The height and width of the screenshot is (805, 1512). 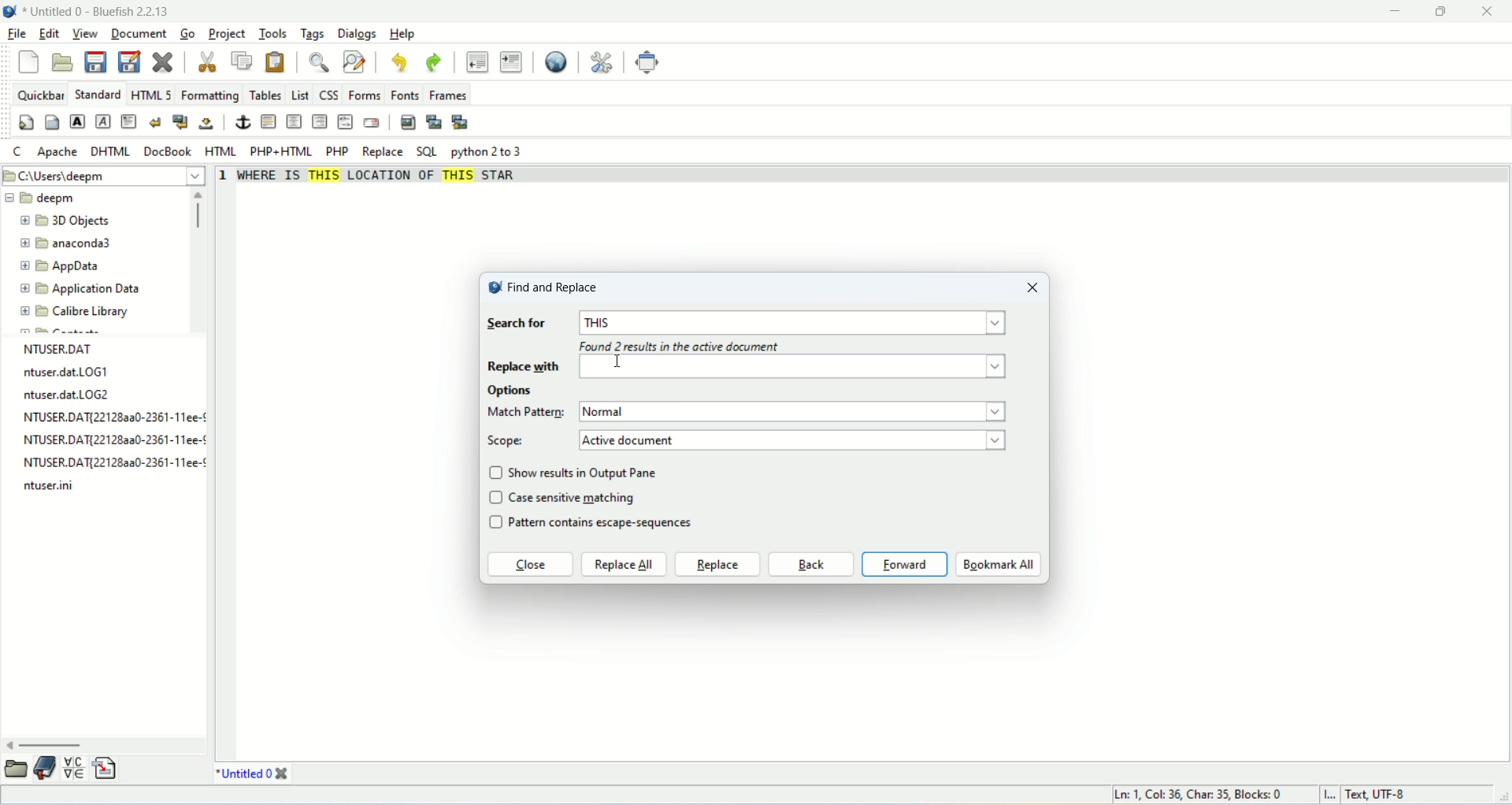 I want to click on found 2 results in the active document, so click(x=679, y=348).